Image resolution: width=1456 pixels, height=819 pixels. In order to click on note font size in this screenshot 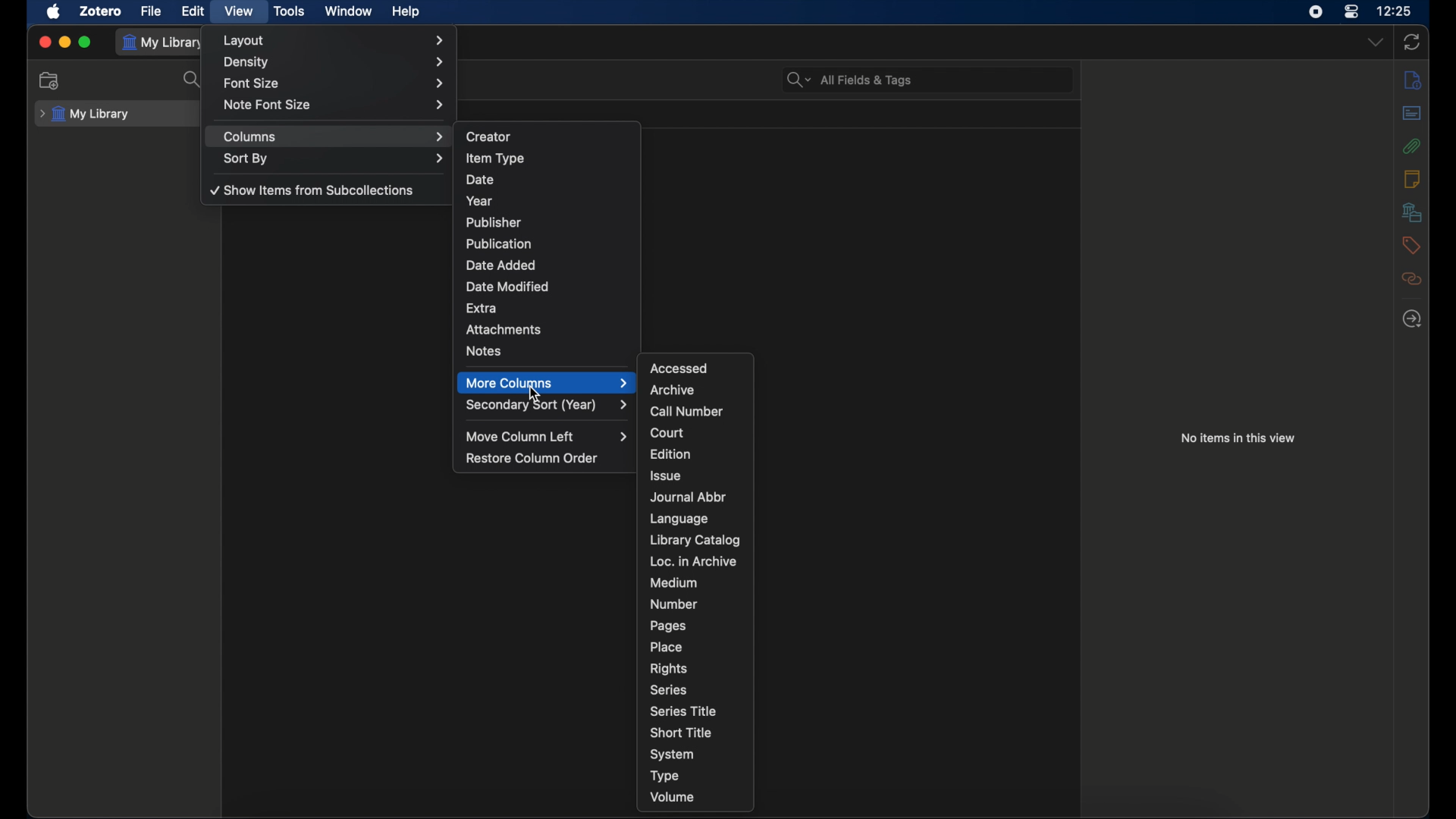, I will do `click(334, 105)`.